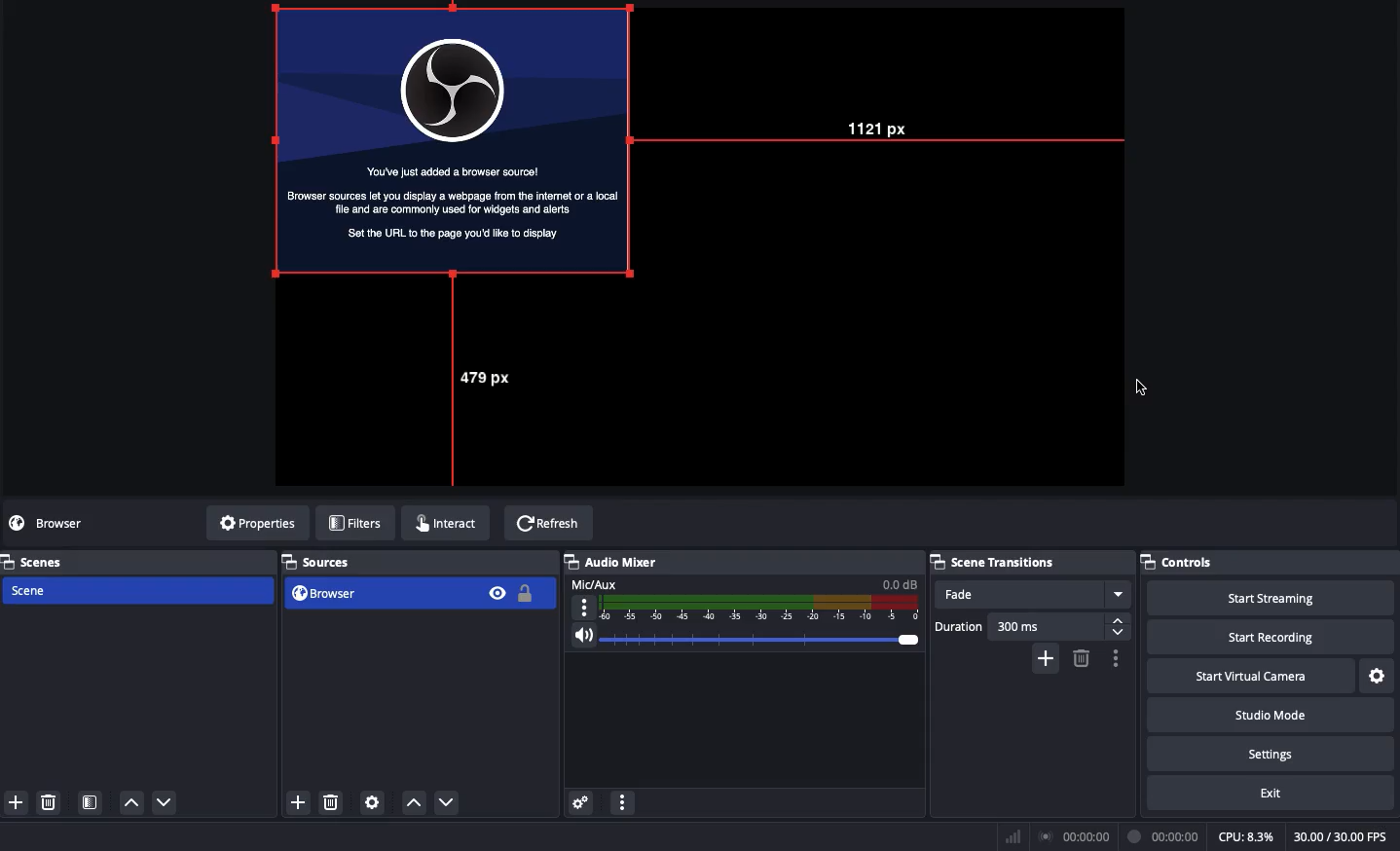  Describe the element at coordinates (357, 523) in the screenshot. I see `Filters` at that location.